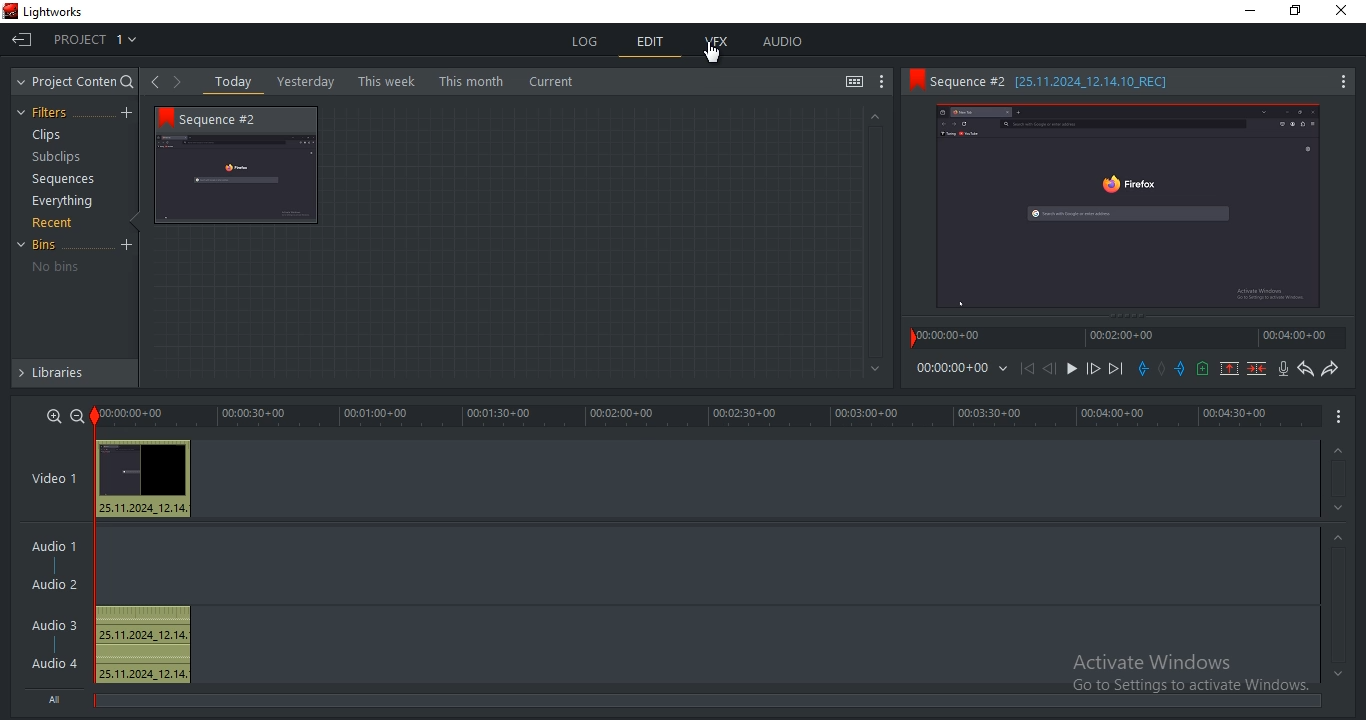 This screenshot has width=1366, height=720. I want to click on navigate right, so click(182, 79).